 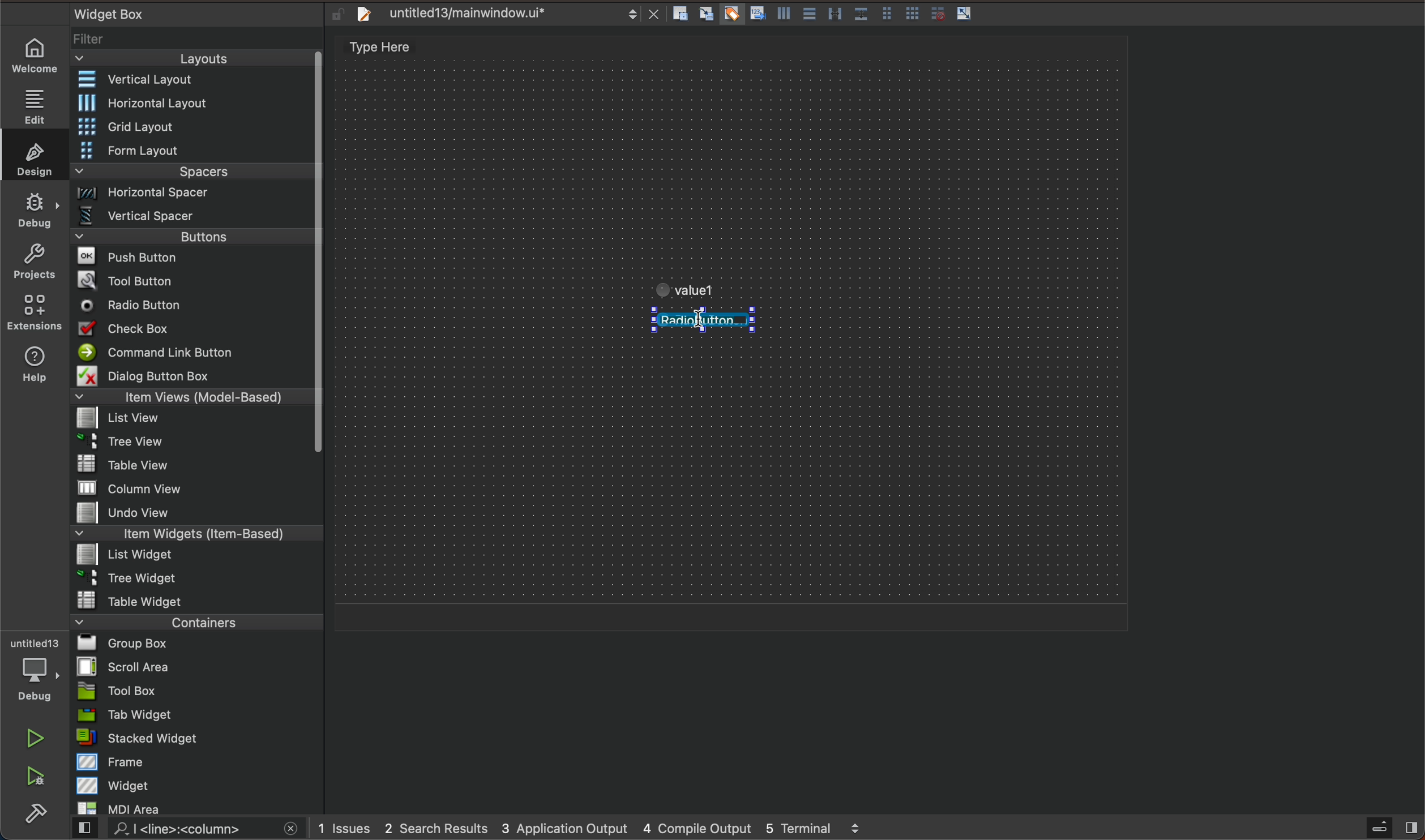 I want to click on dialong button, so click(x=194, y=378).